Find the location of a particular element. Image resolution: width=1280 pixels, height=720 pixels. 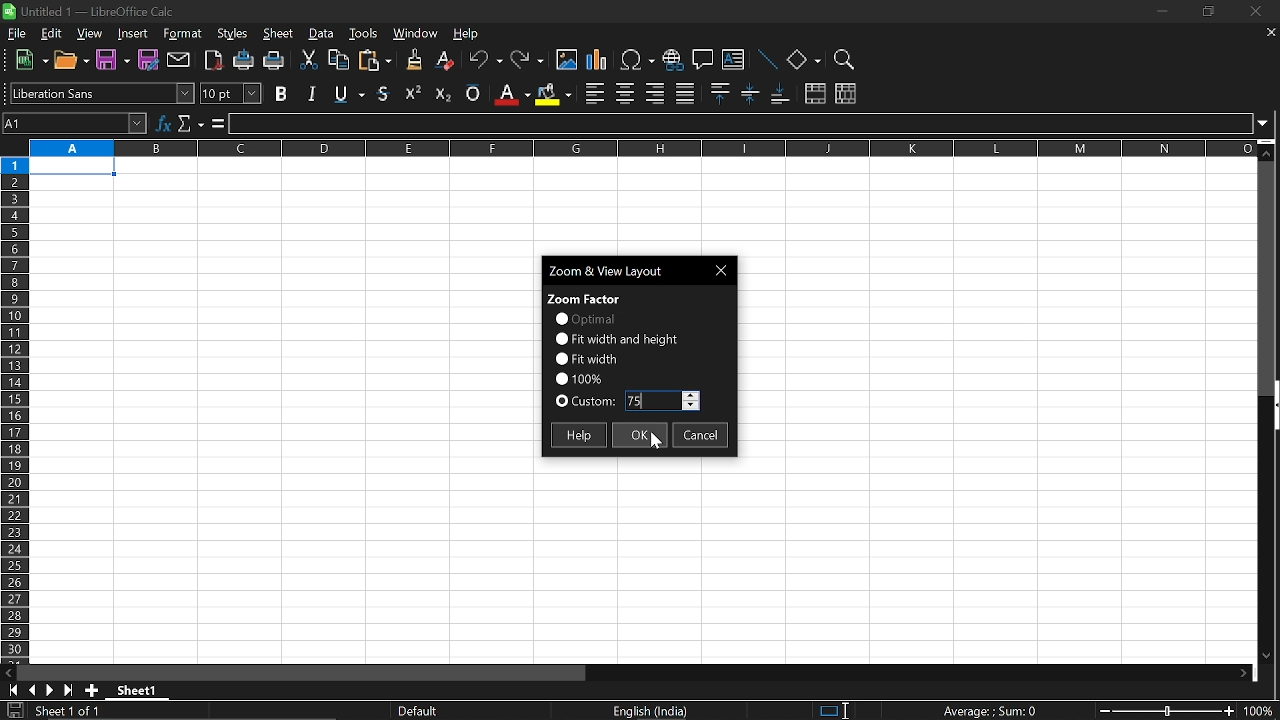

text size is located at coordinates (230, 94).